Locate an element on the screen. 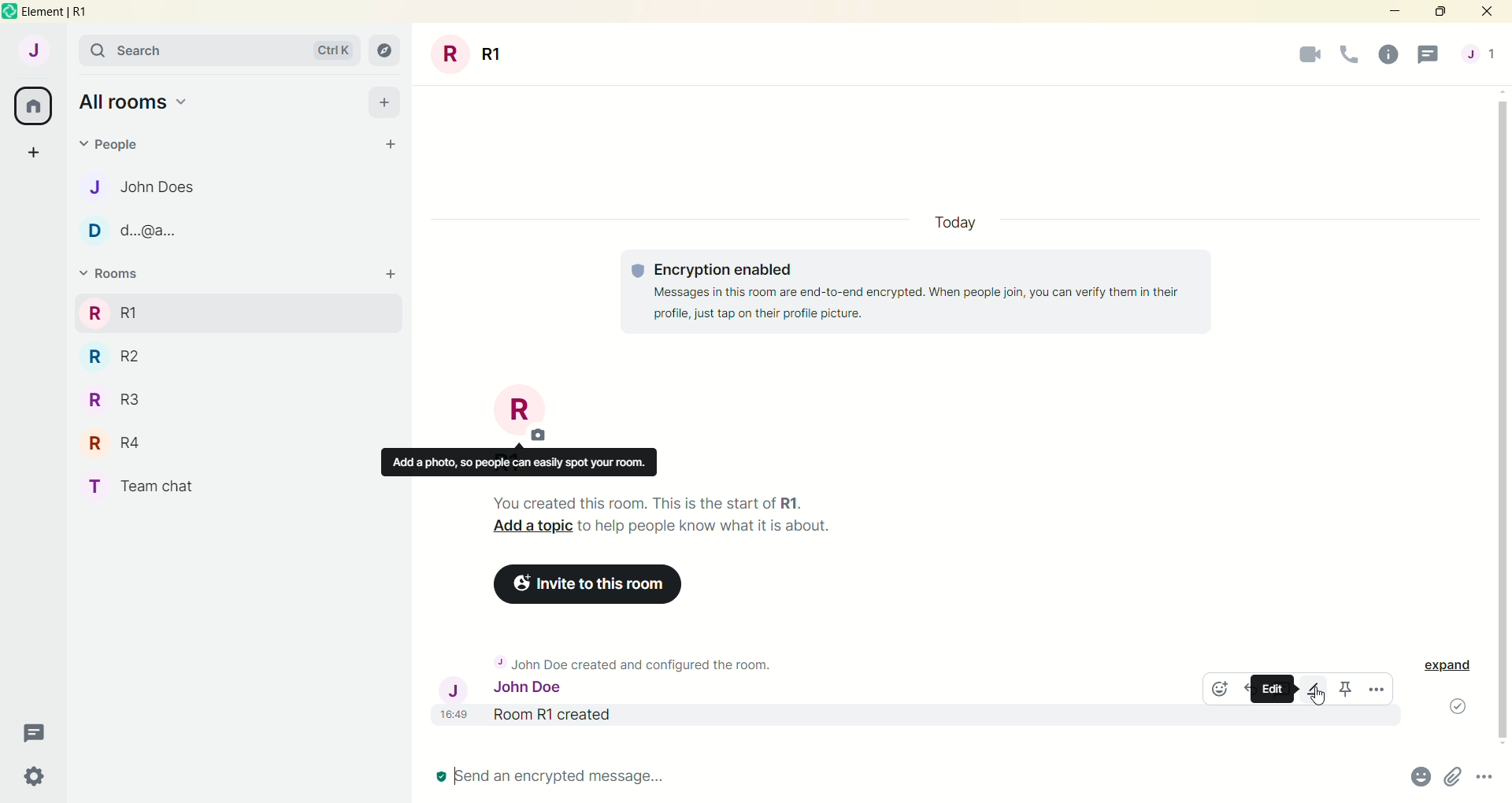 The height and width of the screenshot is (803, 1512). Add a photo, so people can easily spot your room. is located at coordinates (521, 462).